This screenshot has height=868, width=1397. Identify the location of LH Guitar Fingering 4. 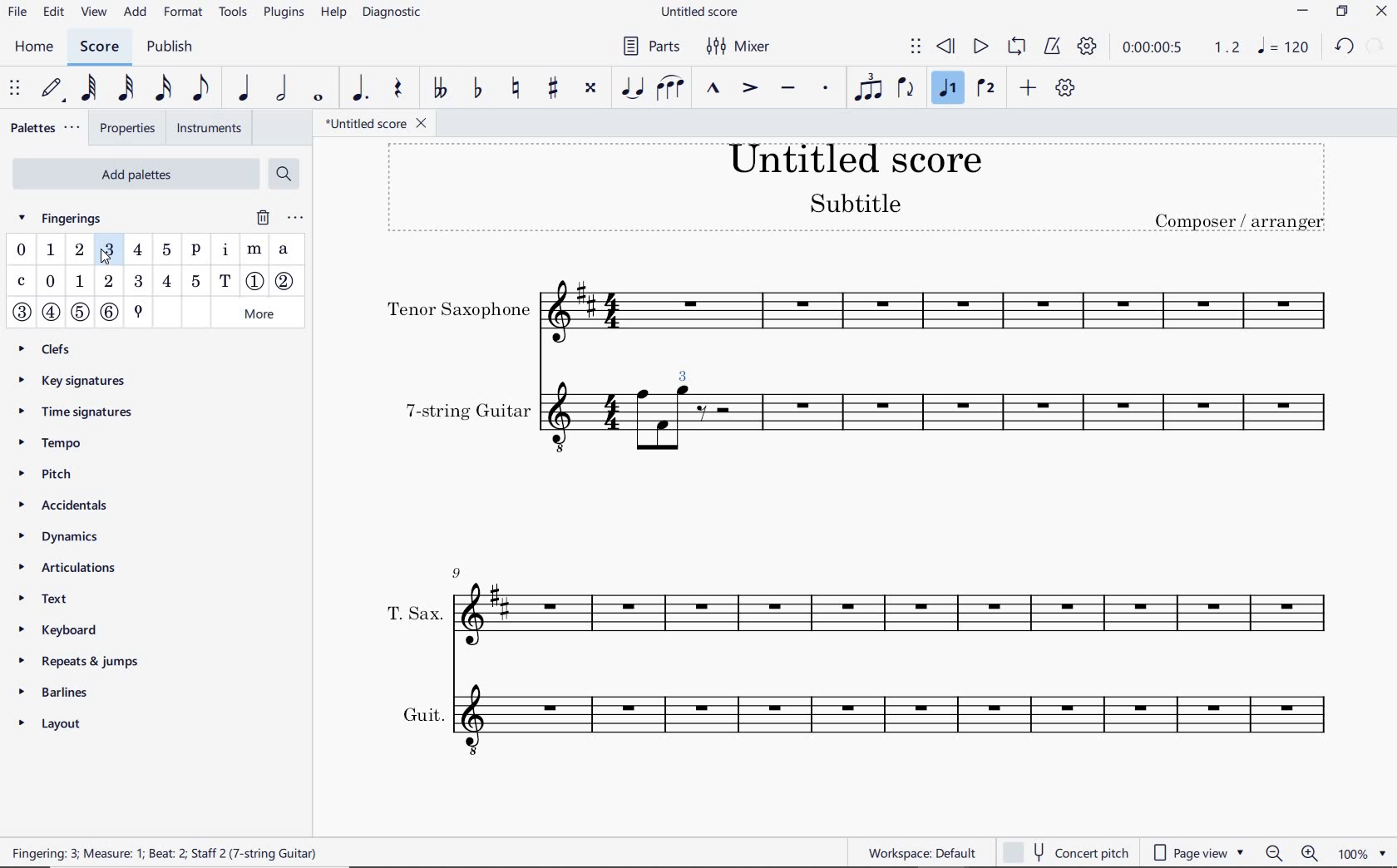
(168, 281).